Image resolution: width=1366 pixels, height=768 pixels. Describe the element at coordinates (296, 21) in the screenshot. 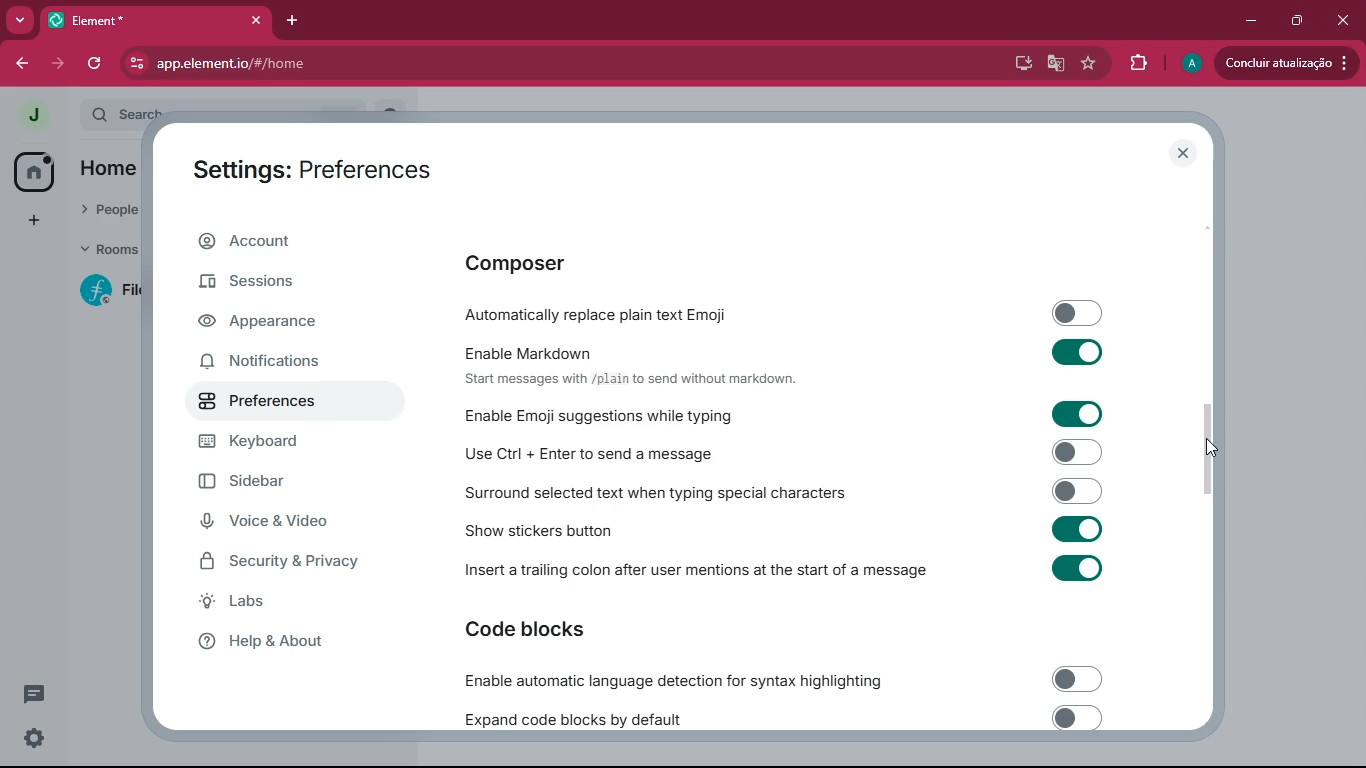

I see `add tab` at that location.